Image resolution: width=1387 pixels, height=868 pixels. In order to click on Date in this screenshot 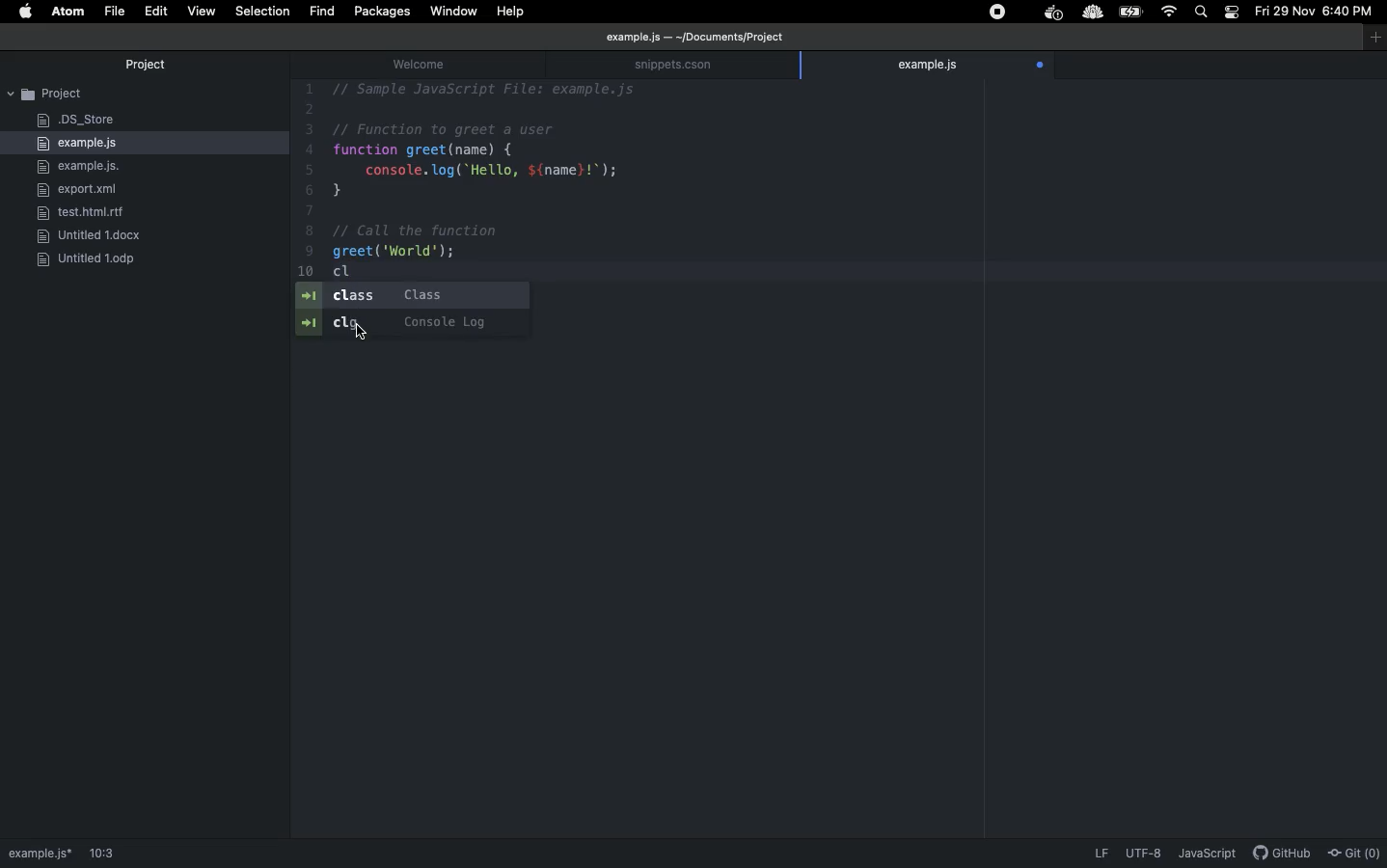, I will do `click(1285, 12)`.